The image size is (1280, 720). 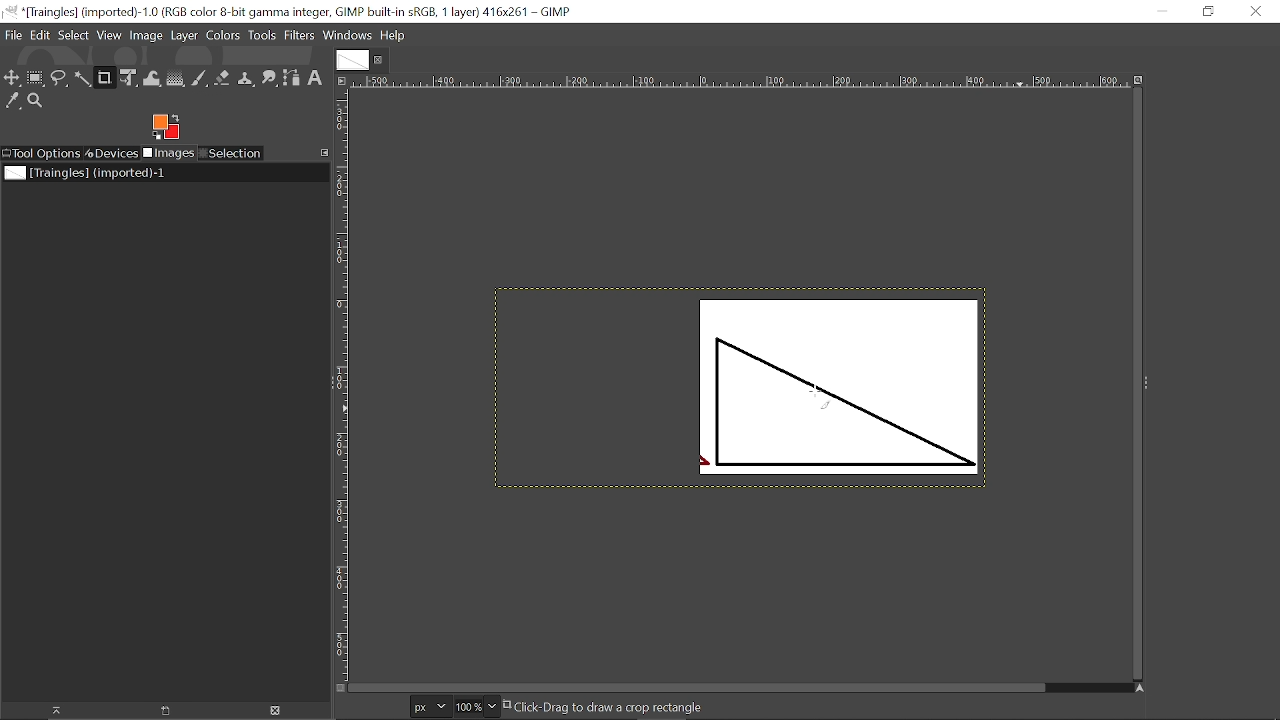 I want to click on Horizontal ruler, so click(x=740, y=78).